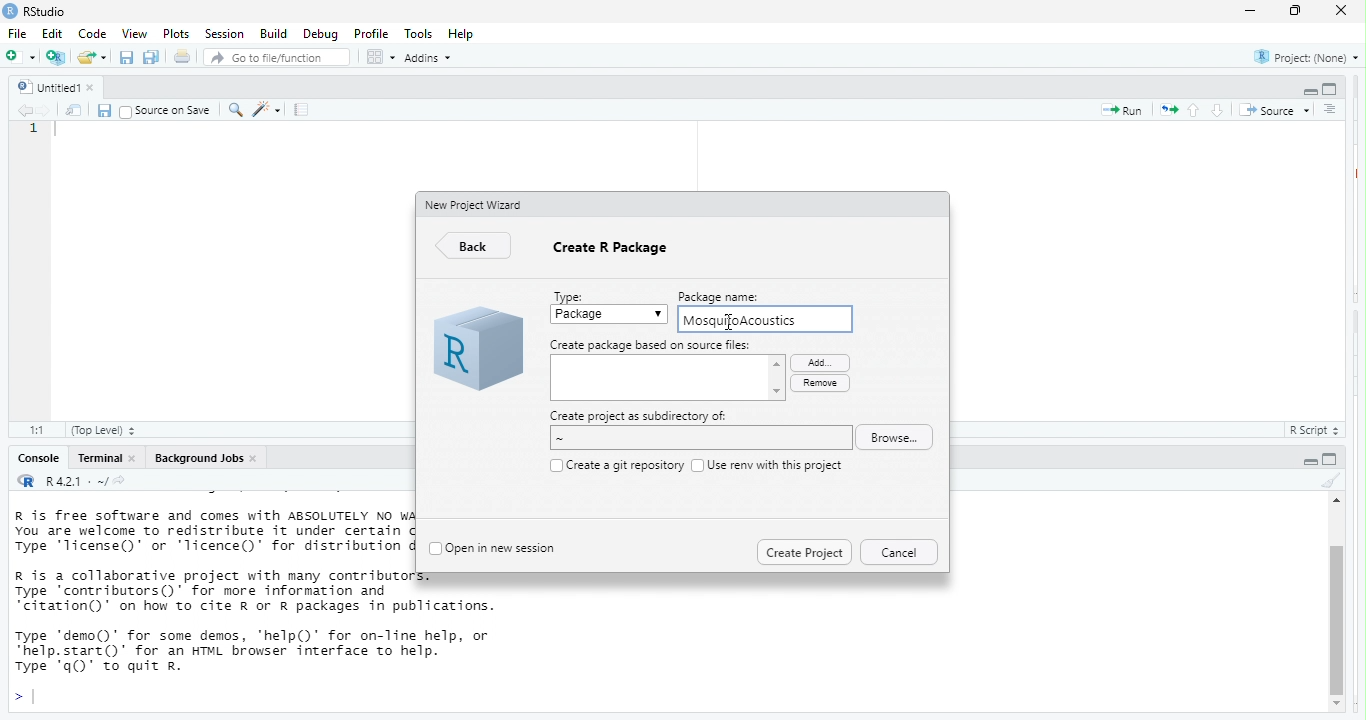  I want to click on close, so click(98, 87).